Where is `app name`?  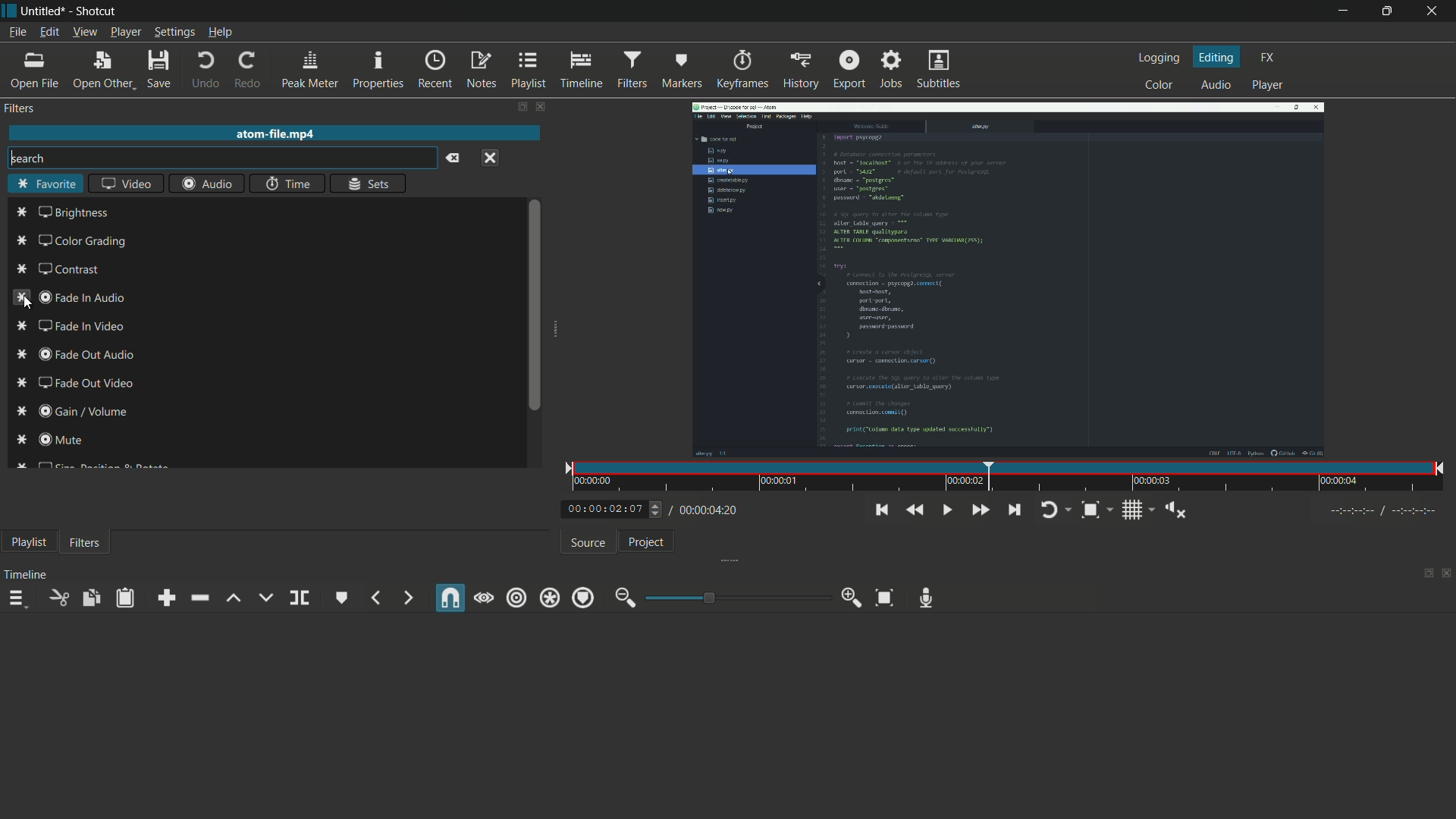 app name is located at coordinates (98, 12).